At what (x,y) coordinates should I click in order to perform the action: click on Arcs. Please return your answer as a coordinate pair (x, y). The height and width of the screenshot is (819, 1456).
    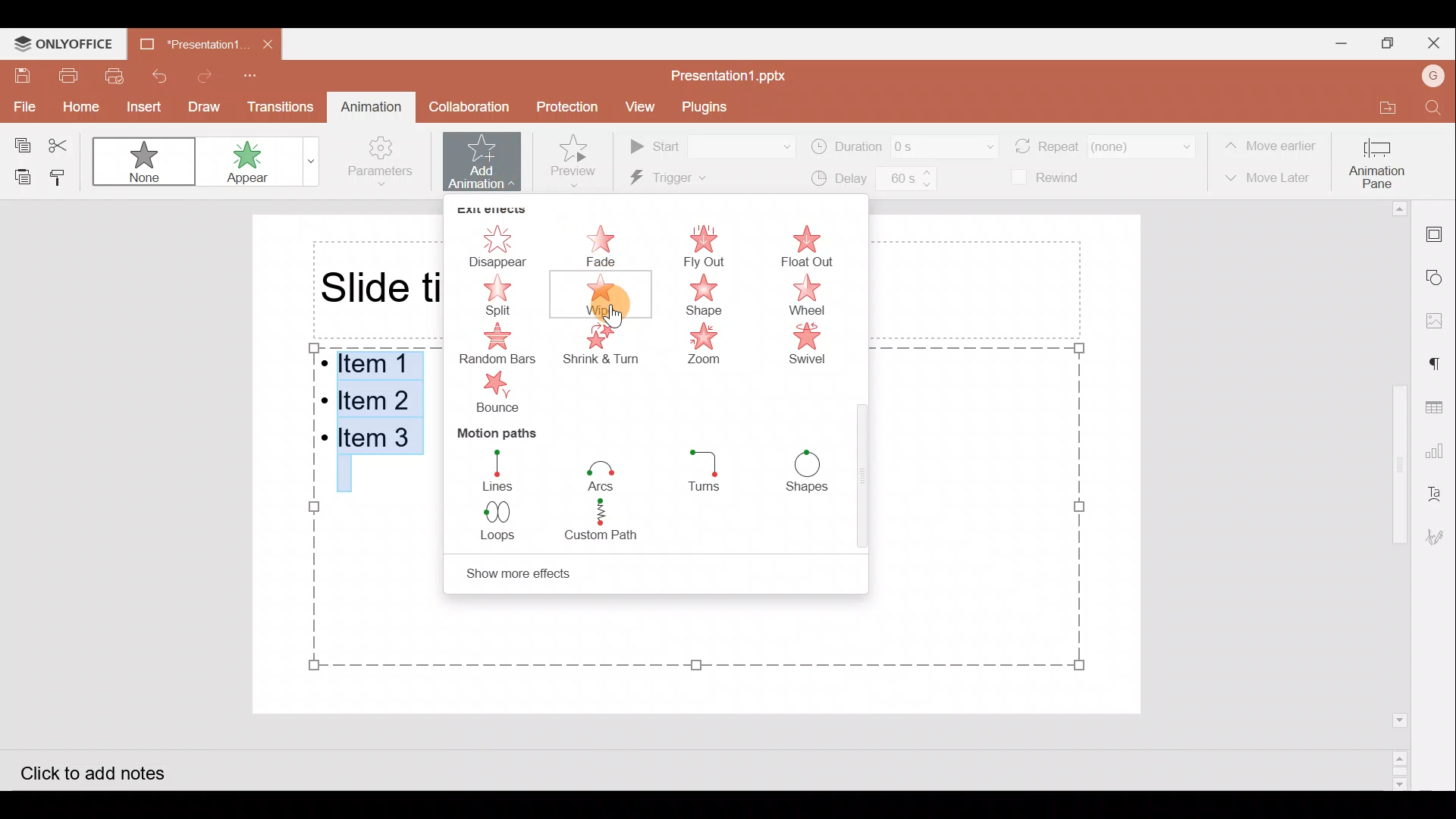
    Looking at the image, I should click on (604, 472).